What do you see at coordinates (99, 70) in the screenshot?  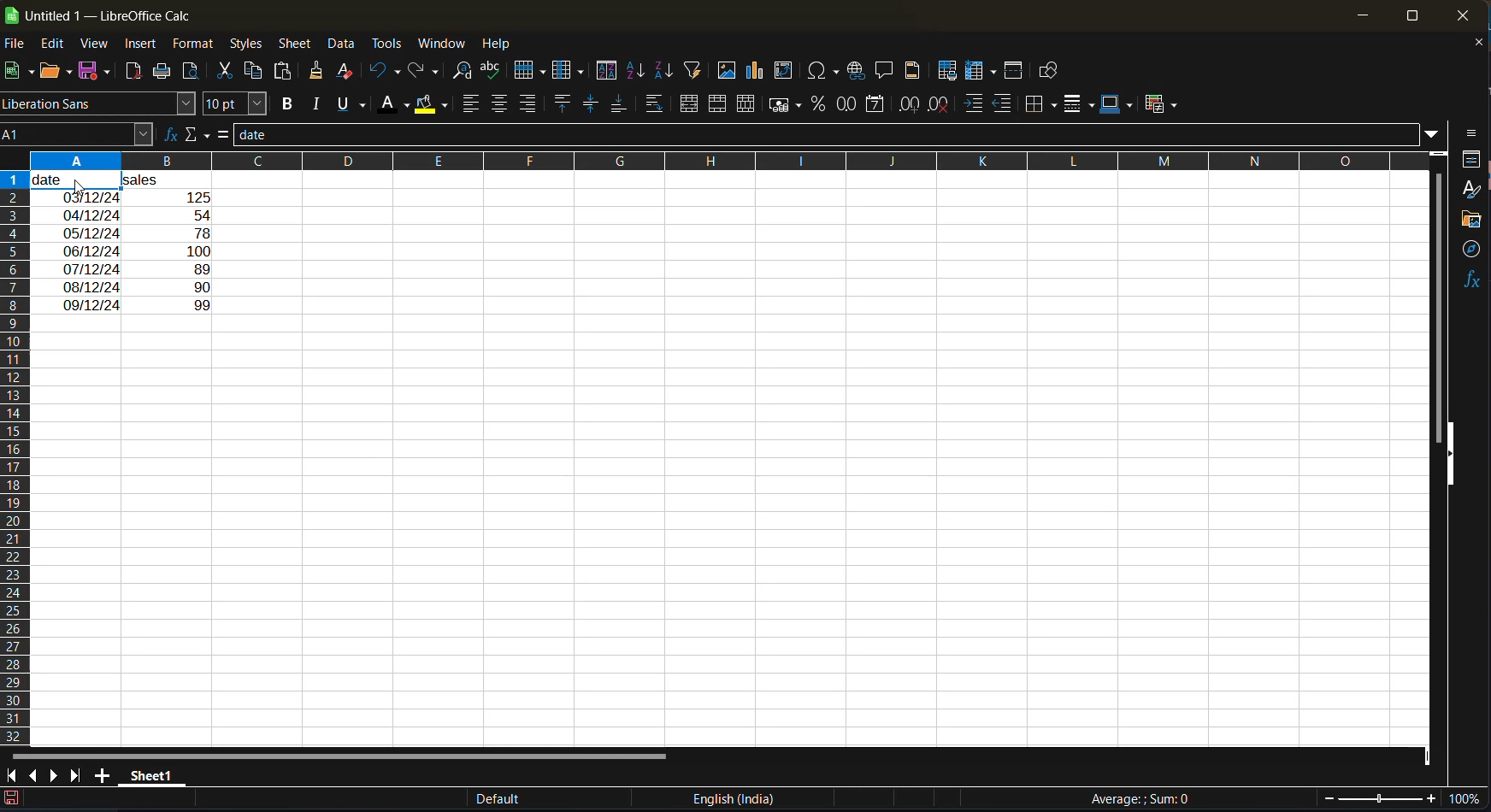 I see `save` at bounding box center [99, 70].